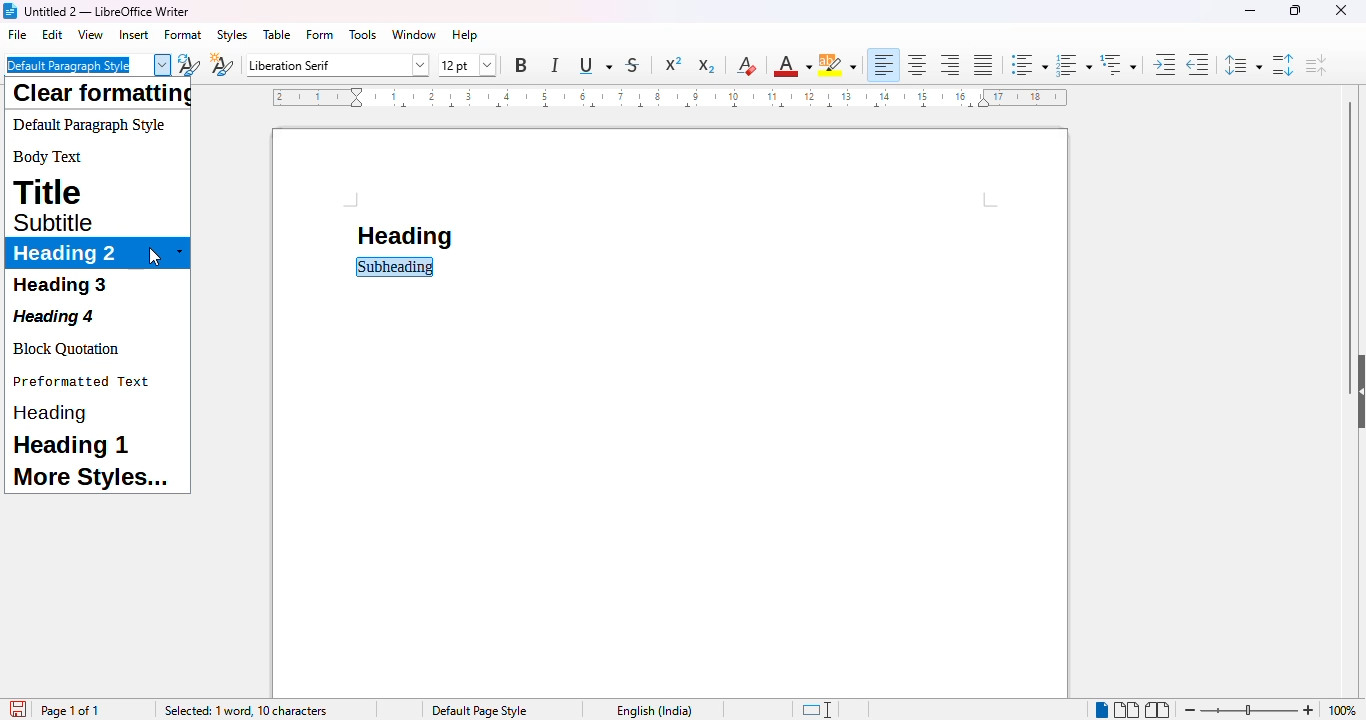 The image size is (1366, 720). What do you see at coordinates (464, 35) in the screenshot?
I see `help` at bounding box center [464, 35].